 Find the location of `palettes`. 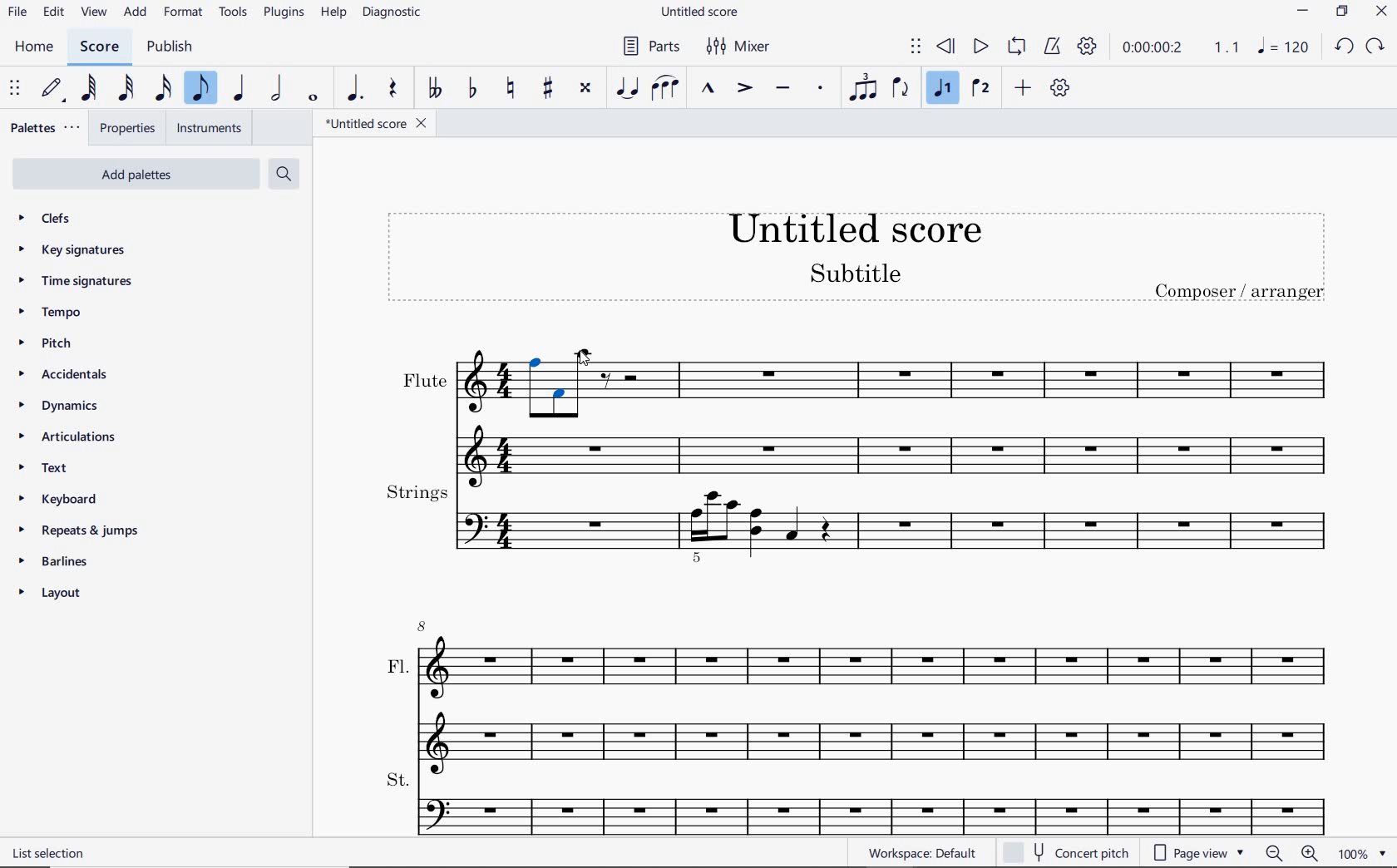

palettes is located at coordinates (47, 126).